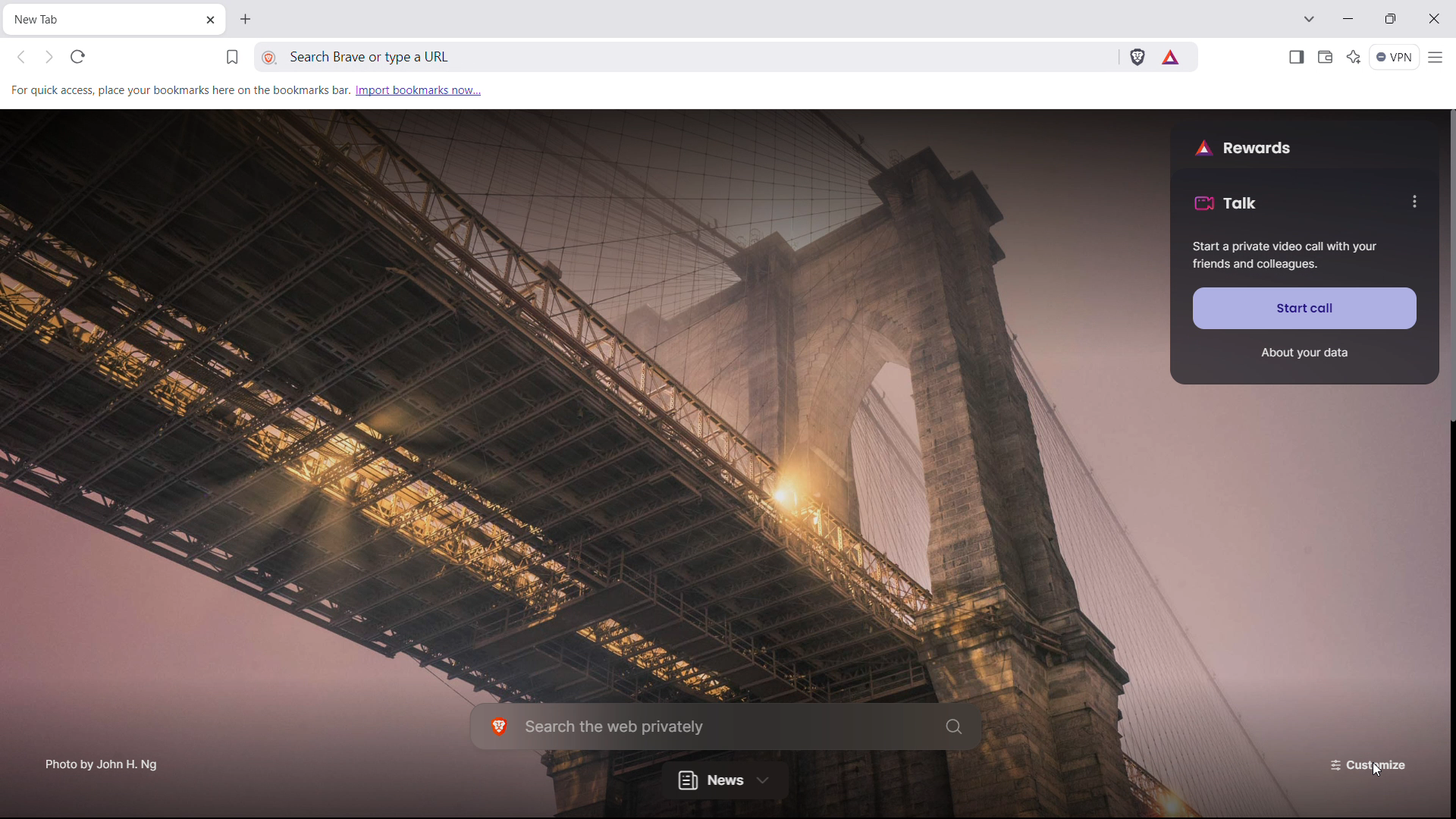  Describe the element at coordinates (1390, 18) in the screenshot. I see `maximize` at that location.